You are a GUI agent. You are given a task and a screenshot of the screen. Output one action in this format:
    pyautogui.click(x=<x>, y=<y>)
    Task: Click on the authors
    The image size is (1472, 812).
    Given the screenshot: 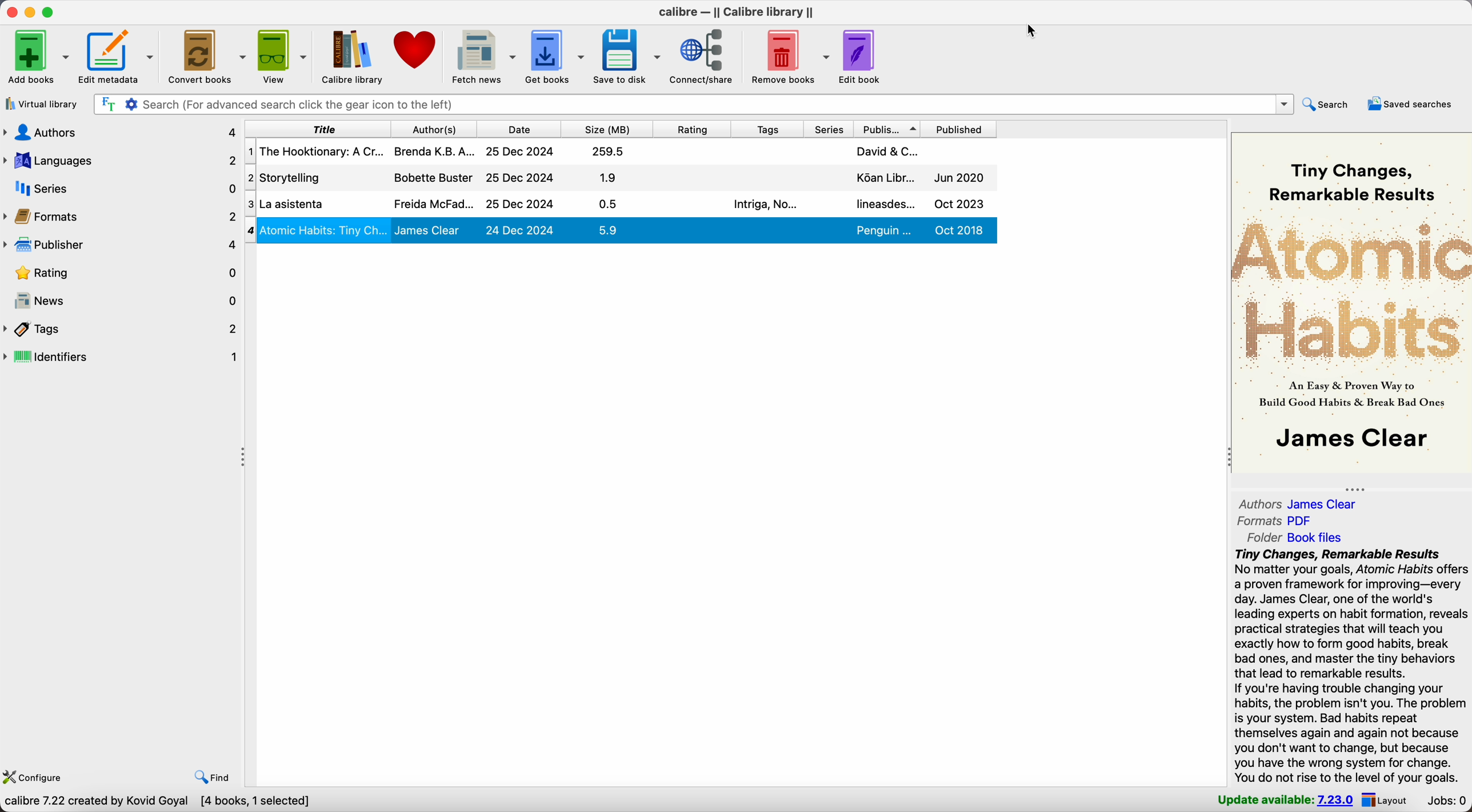 What is the action you would take?
    pyautogui.click(x=122, y=130)
    